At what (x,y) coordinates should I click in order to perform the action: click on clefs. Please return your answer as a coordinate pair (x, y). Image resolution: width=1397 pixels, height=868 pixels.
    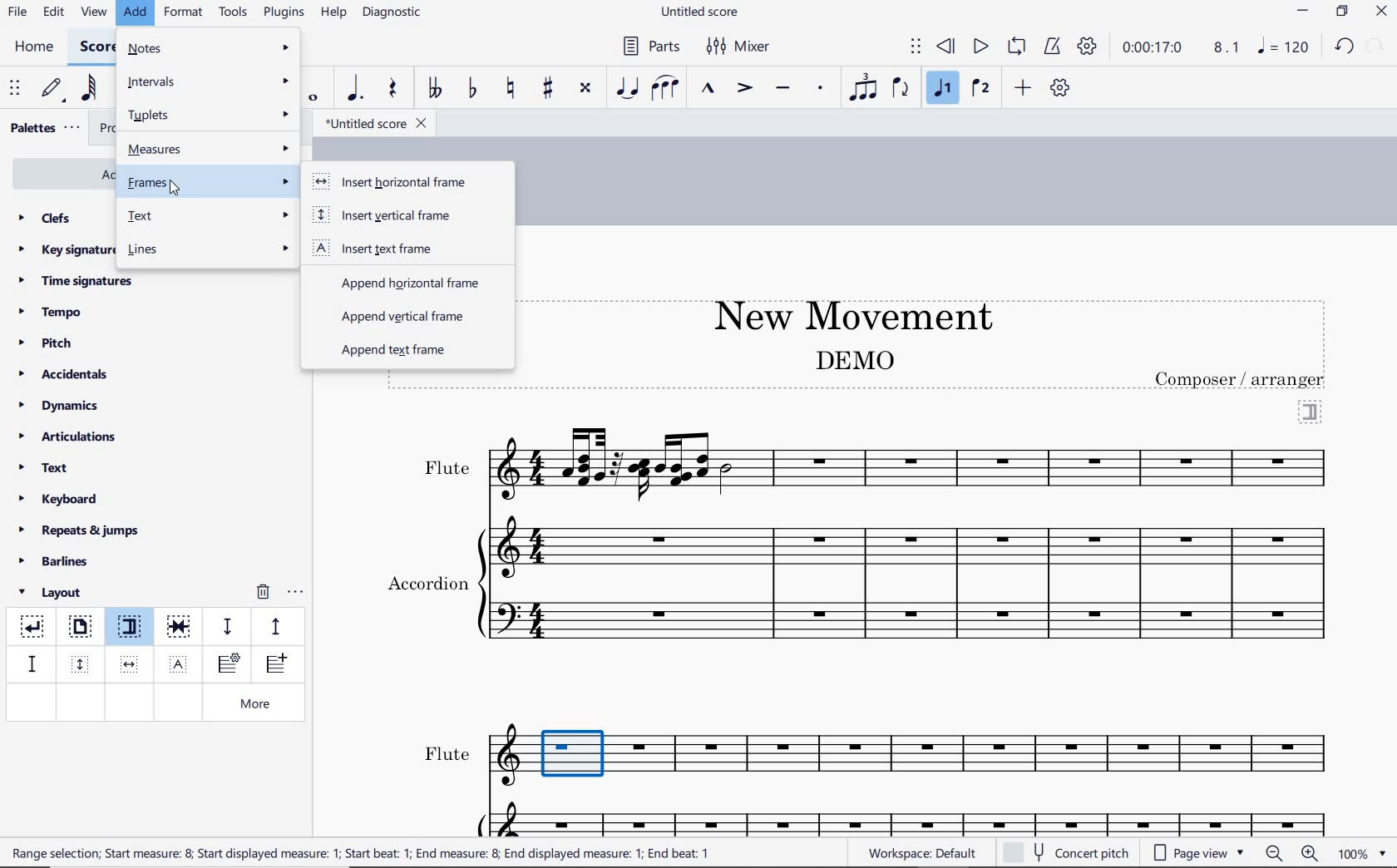
    Looking at the image, I should click on (46, 218).